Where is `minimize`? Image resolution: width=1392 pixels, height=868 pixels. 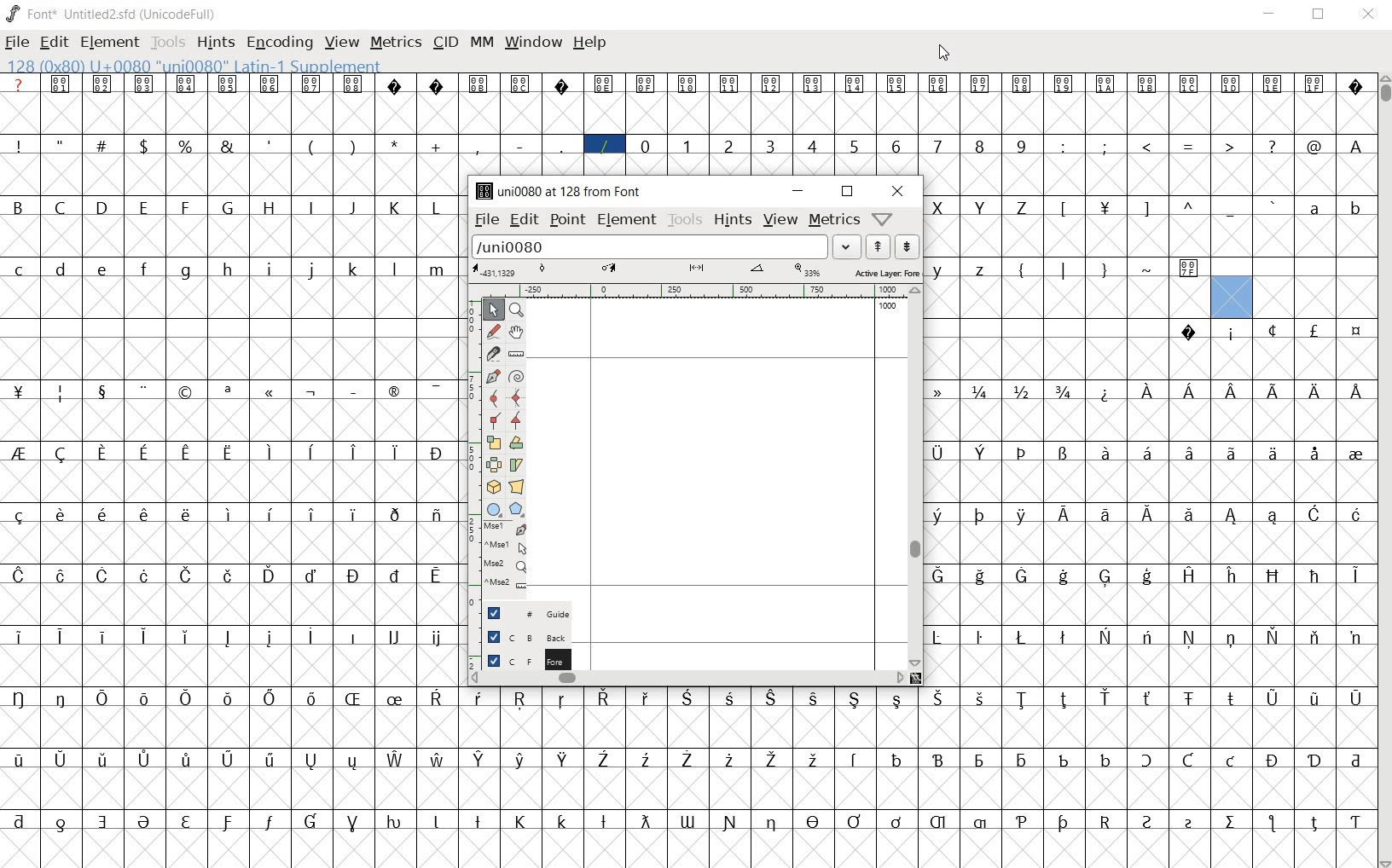
minimize is located at coordinates (798, 190).